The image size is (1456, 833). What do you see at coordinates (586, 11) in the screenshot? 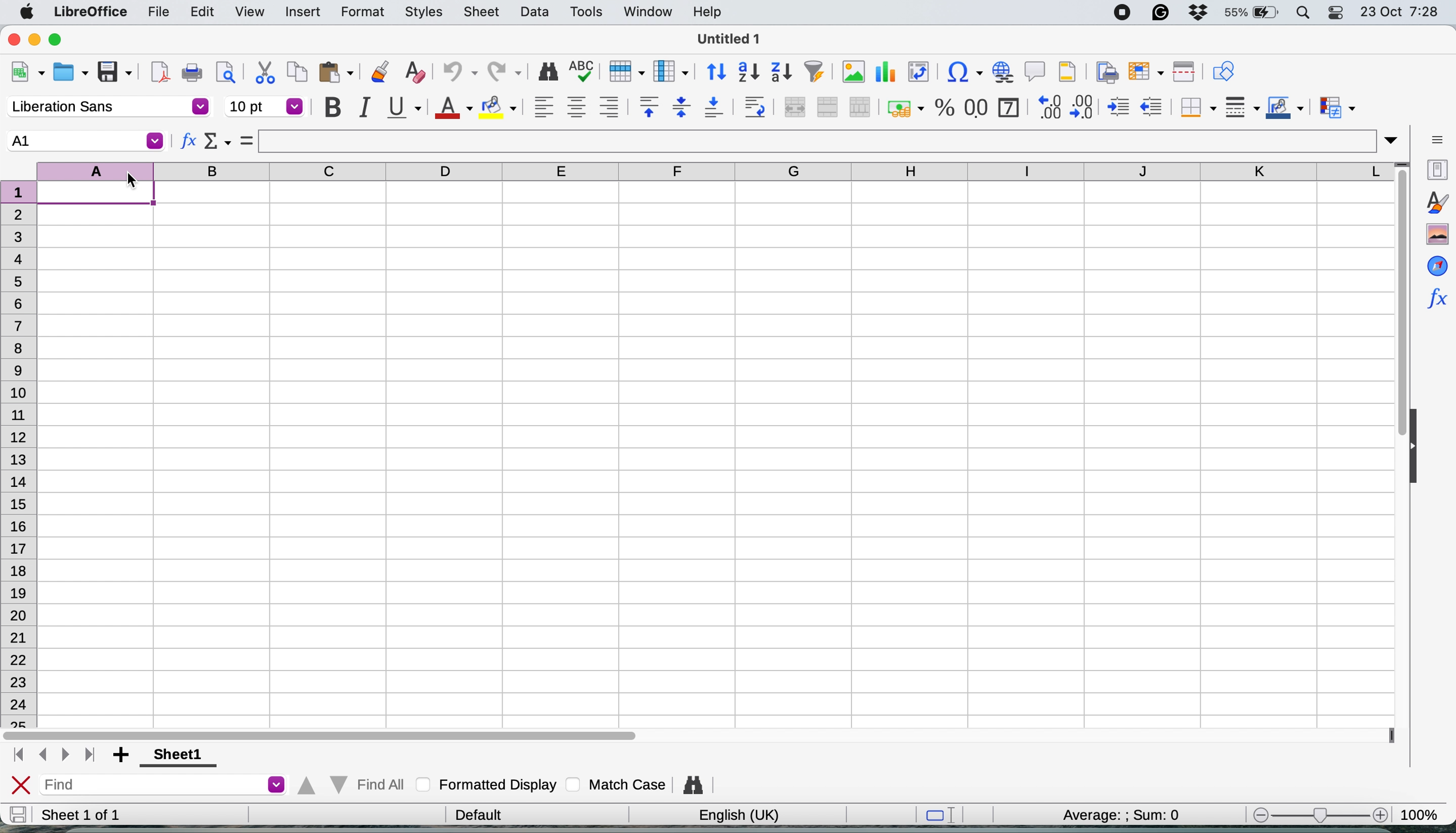
I see `tools` at bounding box center [586, 11].